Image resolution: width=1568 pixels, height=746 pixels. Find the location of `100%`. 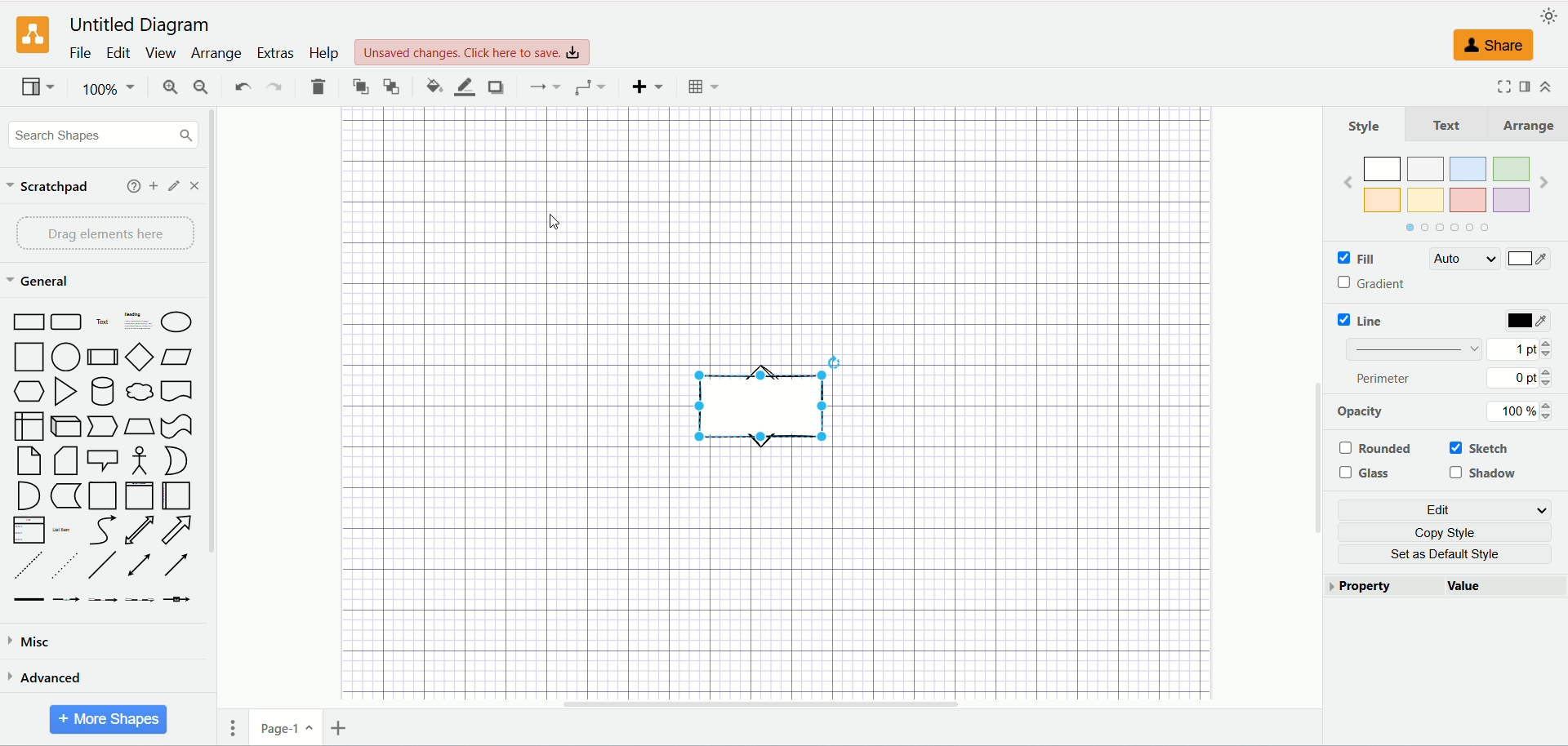

100% is located at coordinates (109, 87).